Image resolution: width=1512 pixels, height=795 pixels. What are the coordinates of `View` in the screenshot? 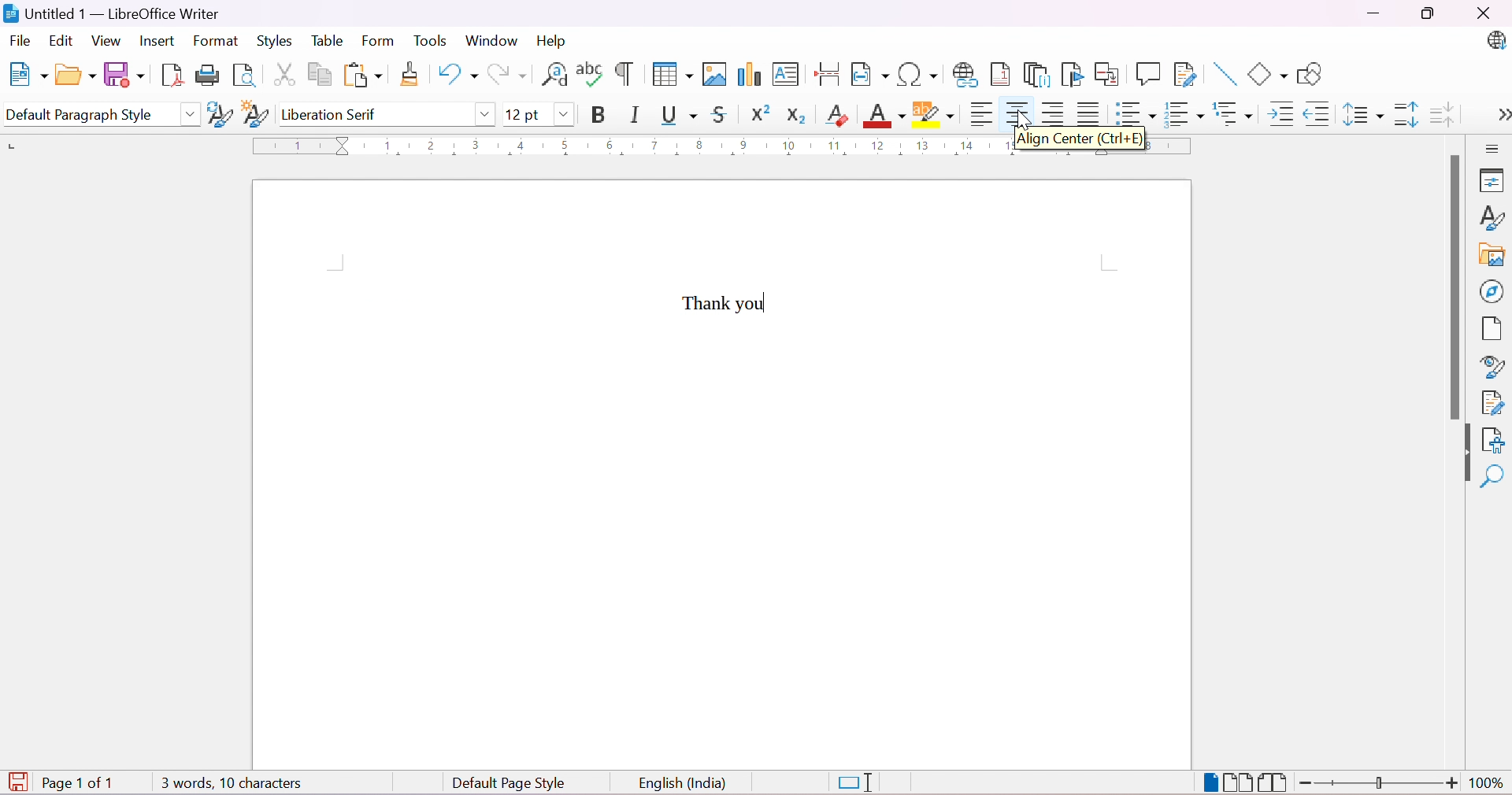 It's located at (107, 39).